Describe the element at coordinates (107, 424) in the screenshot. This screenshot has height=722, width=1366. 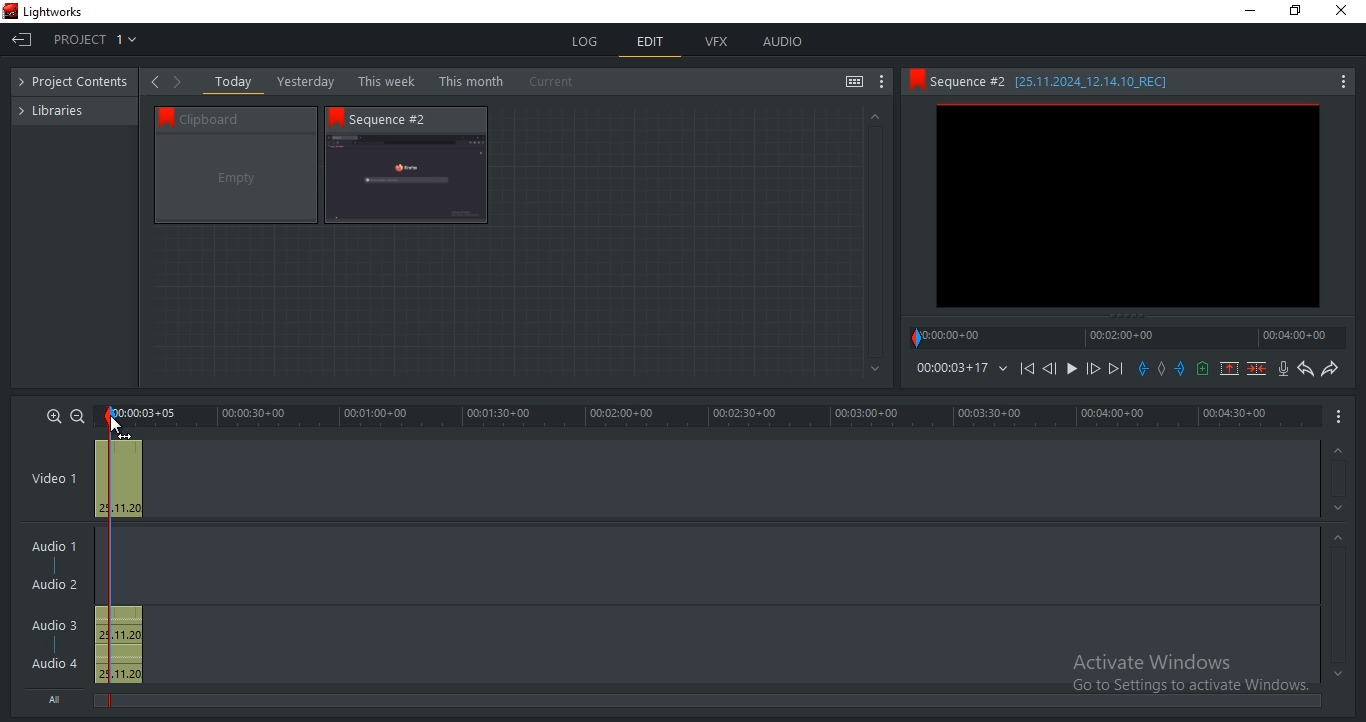
I see `Pointer cursor` at that location.